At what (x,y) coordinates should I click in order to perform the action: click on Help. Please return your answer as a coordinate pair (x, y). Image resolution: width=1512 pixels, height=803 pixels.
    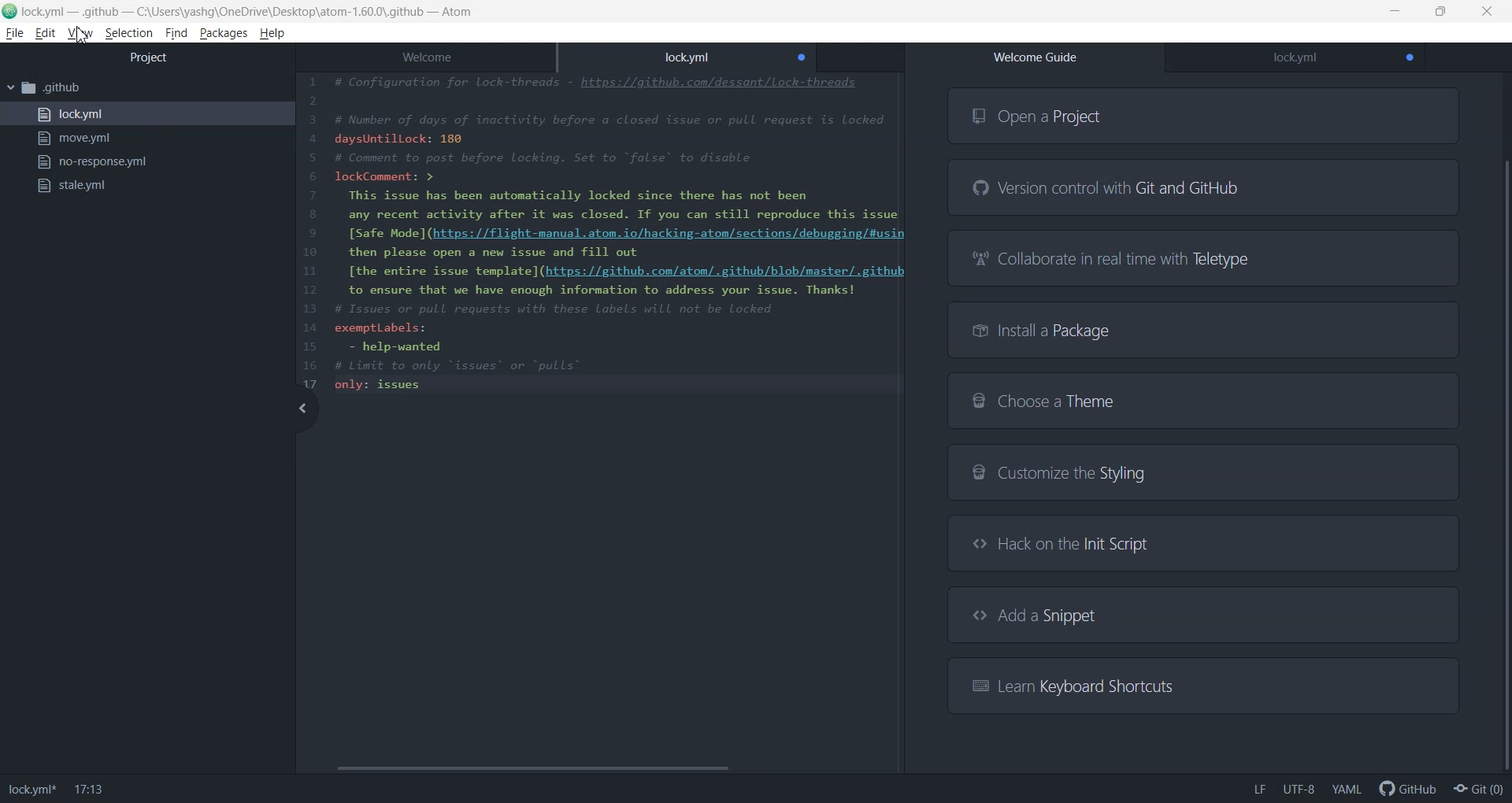
    Looking at the image, I should click on (272, 34).